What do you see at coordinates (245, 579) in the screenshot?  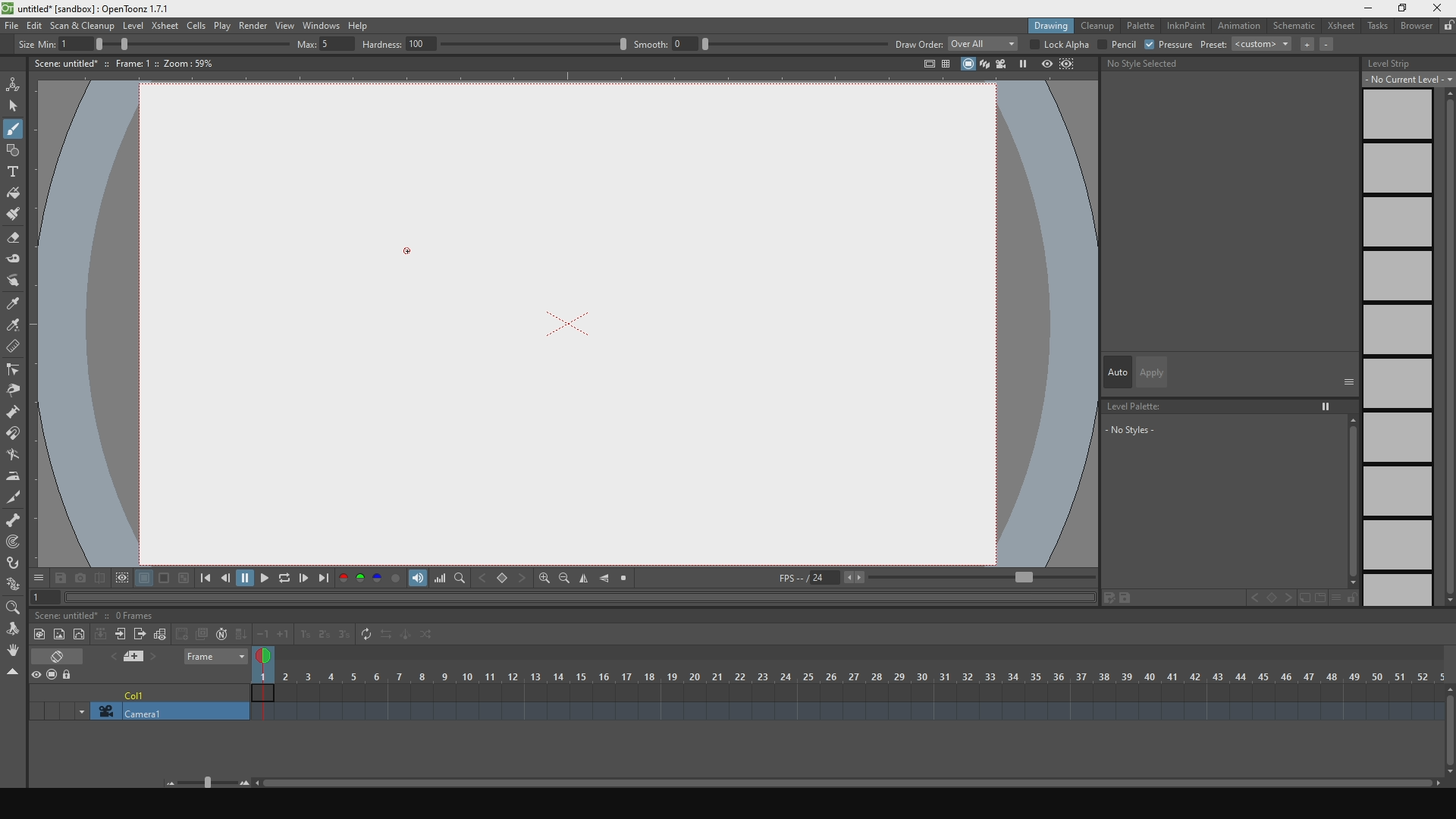 I see `pause` at bounding box center [245, 579].